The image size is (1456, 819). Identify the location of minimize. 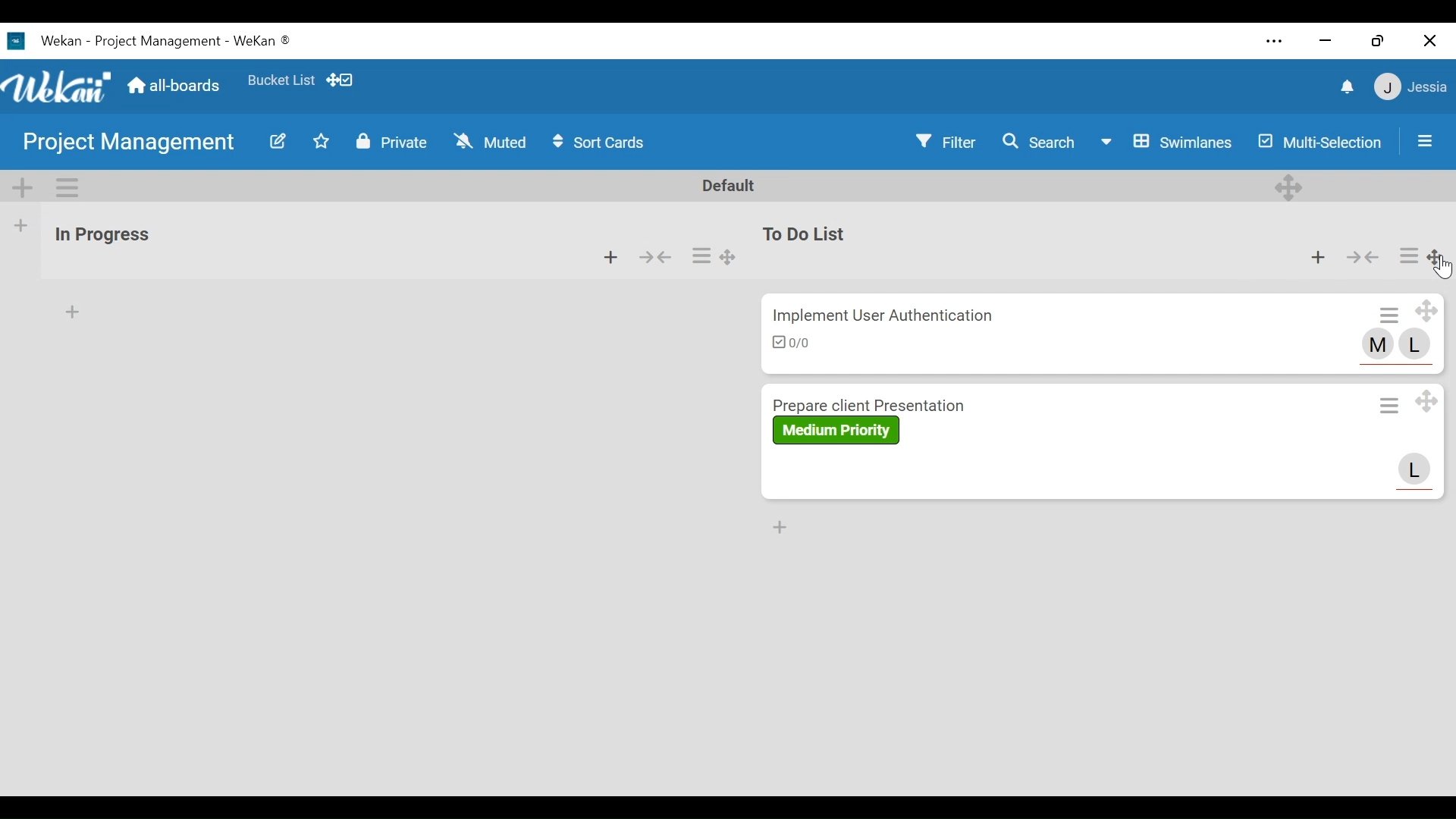
(1323, 42).